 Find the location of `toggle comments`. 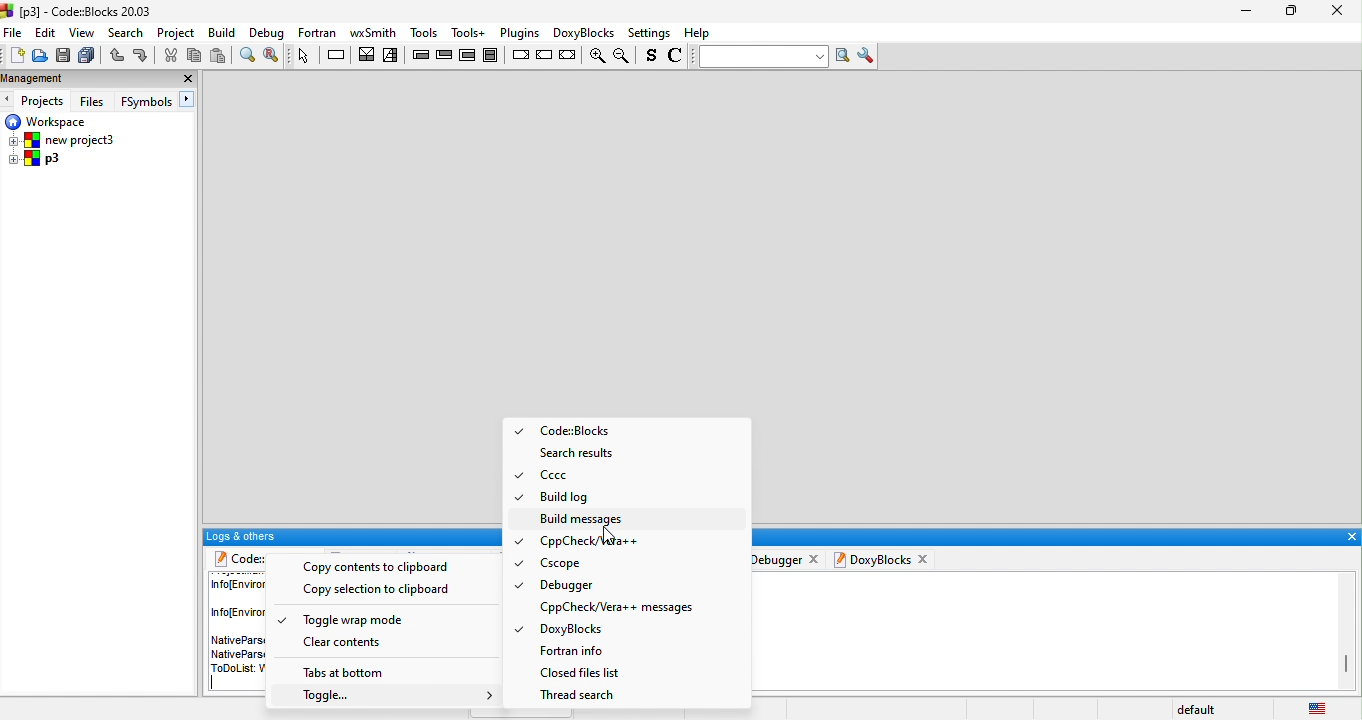

toggle comments is located at coordinates (678, 58).